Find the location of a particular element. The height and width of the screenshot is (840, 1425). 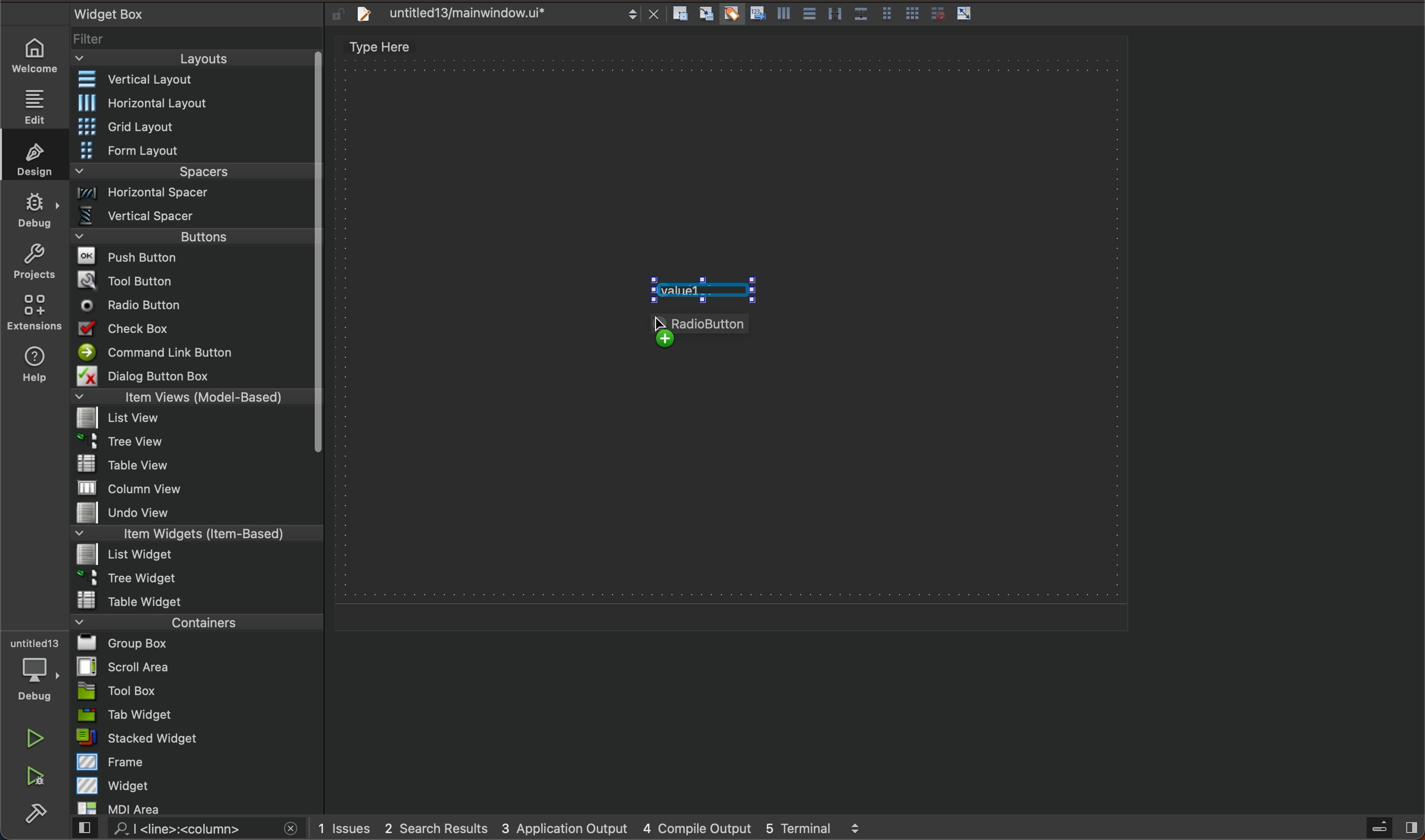

sidebar  is located at coordinates (1381, 828).